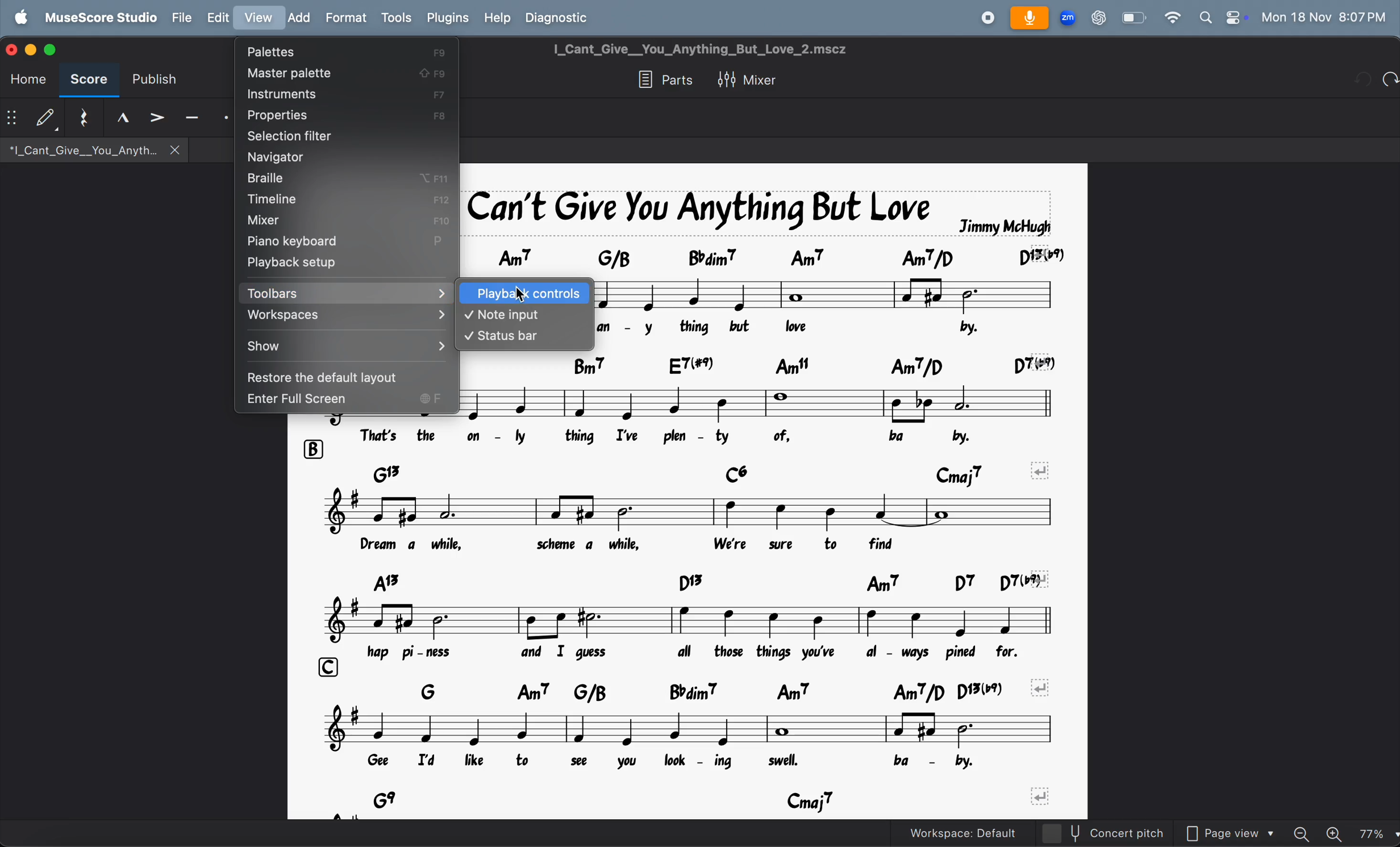  Describe the element at coordinates (1117, 835) in the screenshot. I see `concert pitch` at that location.